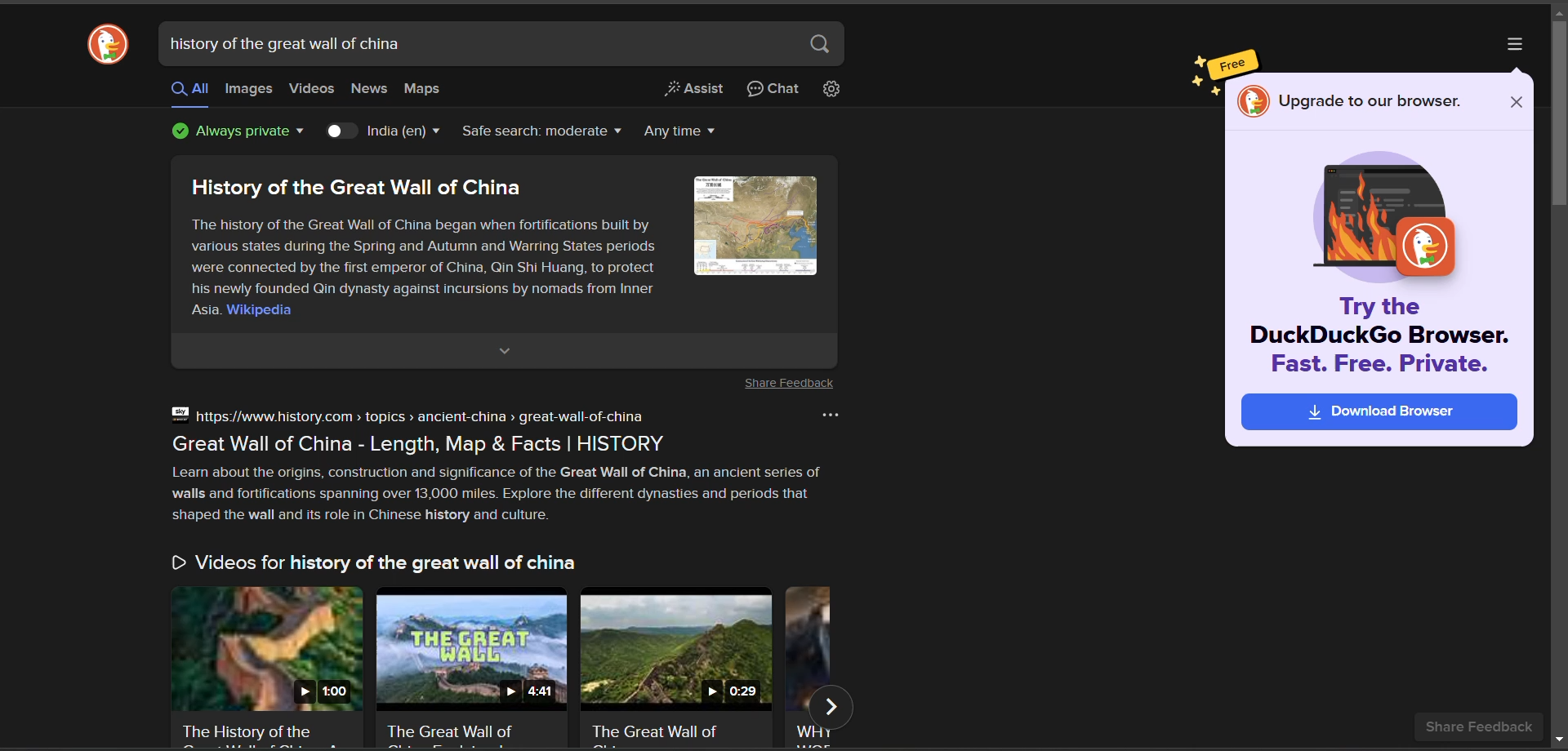 This screenshot has height=751, width=1568. I want to click on maps, so click(420, 87).